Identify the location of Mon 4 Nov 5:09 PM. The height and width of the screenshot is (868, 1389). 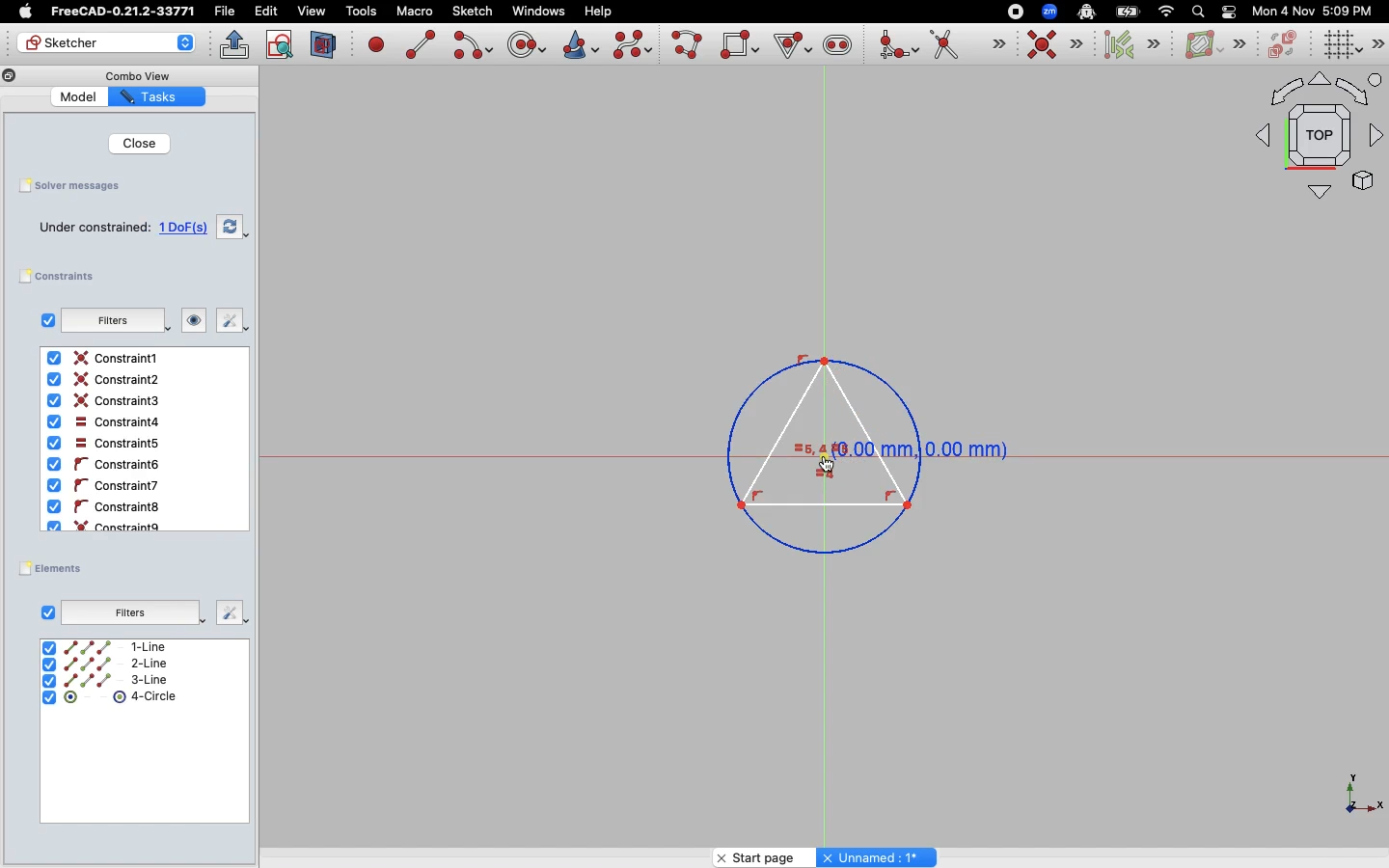
(1315, 12).